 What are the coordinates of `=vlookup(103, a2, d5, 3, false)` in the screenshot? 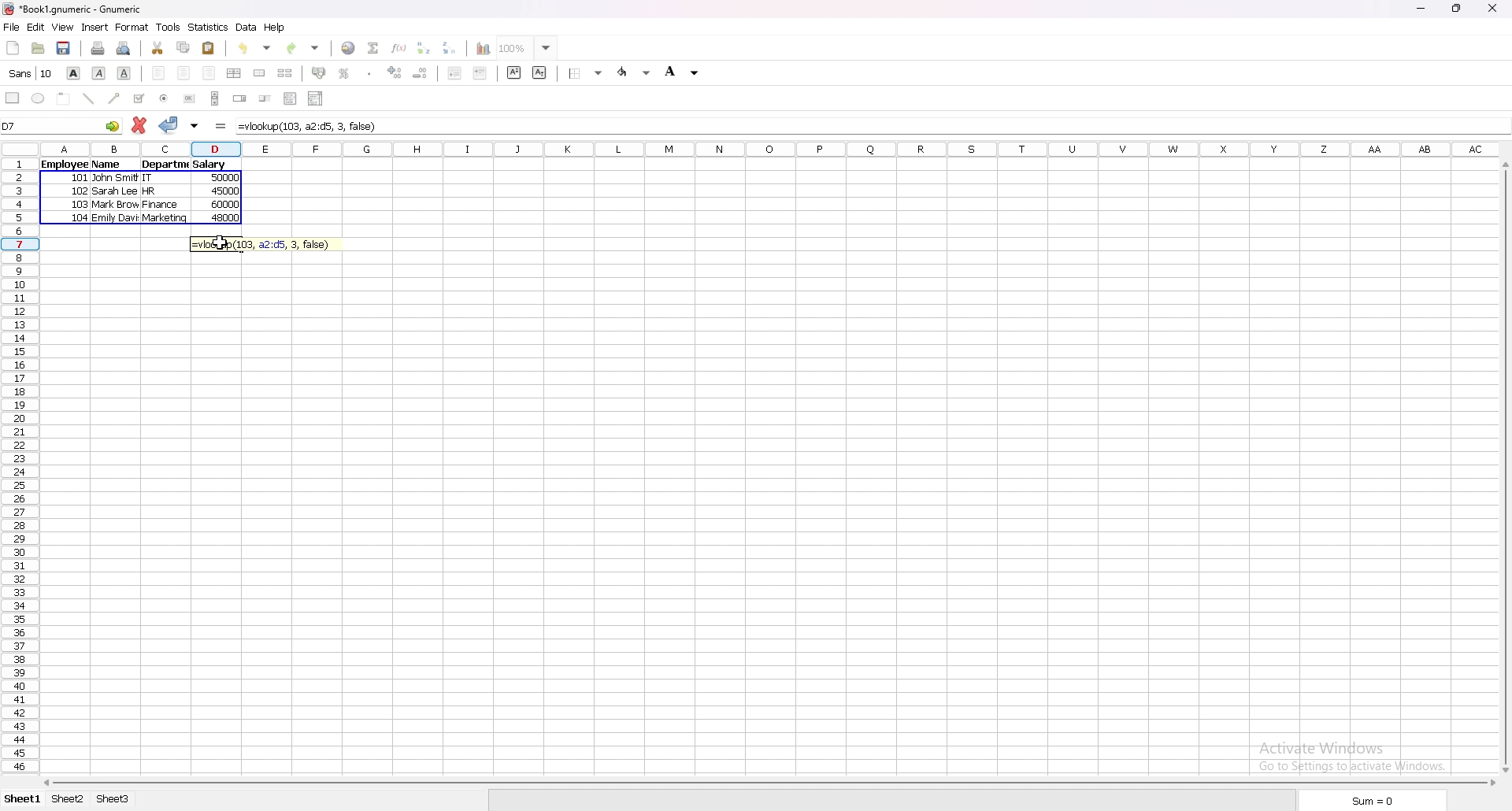 It's located at (266, 244).